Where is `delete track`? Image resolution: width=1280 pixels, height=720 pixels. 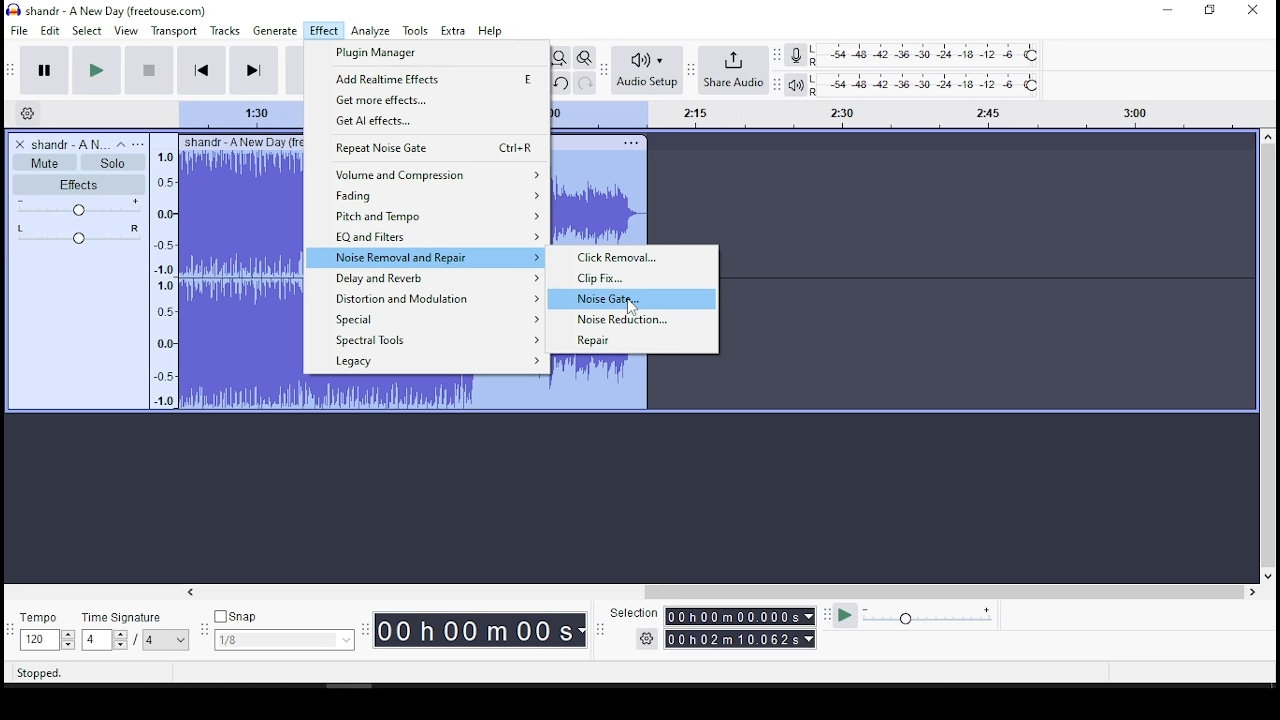
delete track is located at coordinates (20, 144).